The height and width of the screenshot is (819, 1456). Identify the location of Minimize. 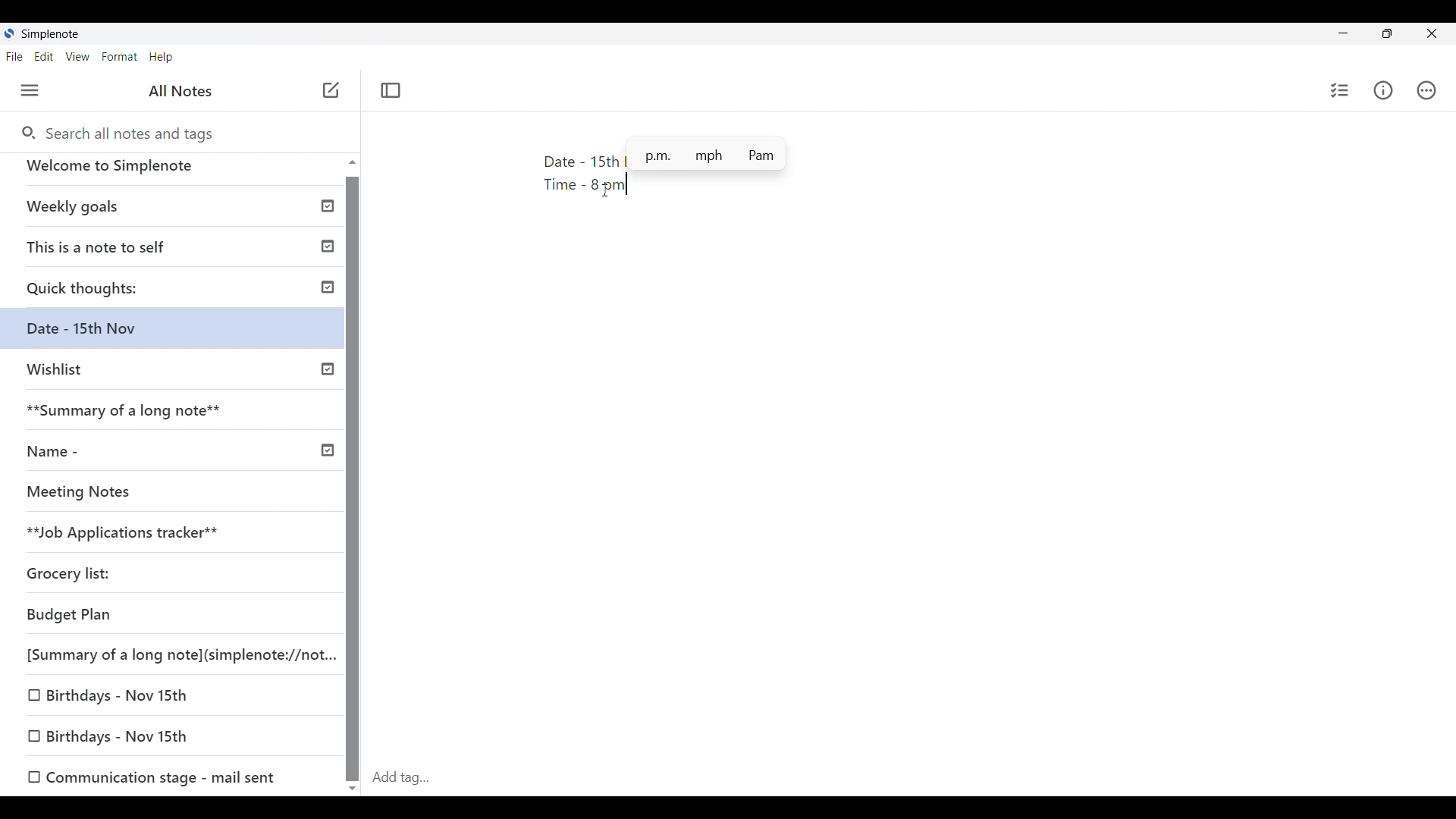
(1343, 33).